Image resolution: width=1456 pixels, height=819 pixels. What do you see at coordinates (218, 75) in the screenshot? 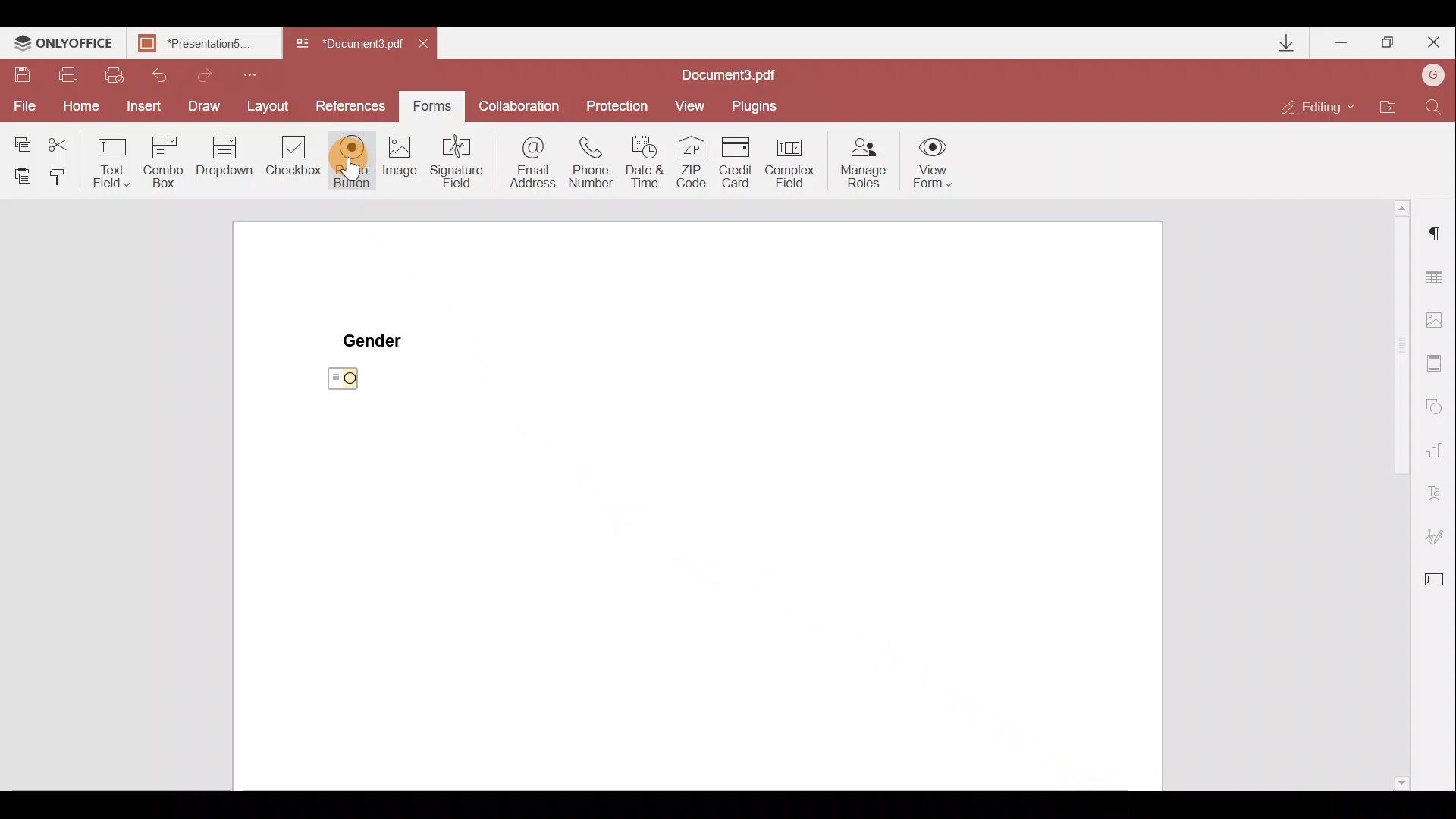
I see `Redo` at bounding box center [218, 75].